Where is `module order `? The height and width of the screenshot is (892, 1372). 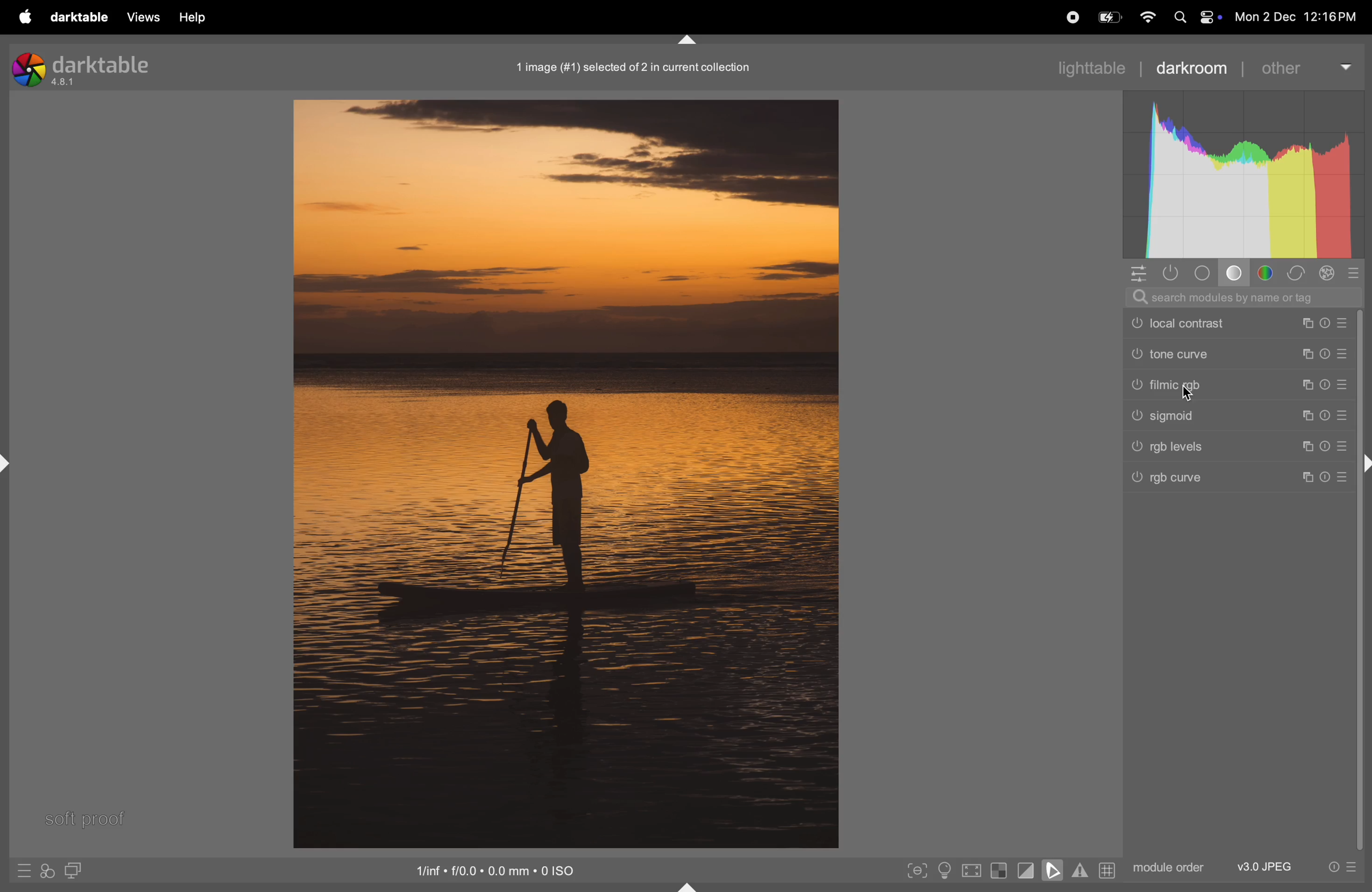
module order  is located at coordinates (1166, 866).